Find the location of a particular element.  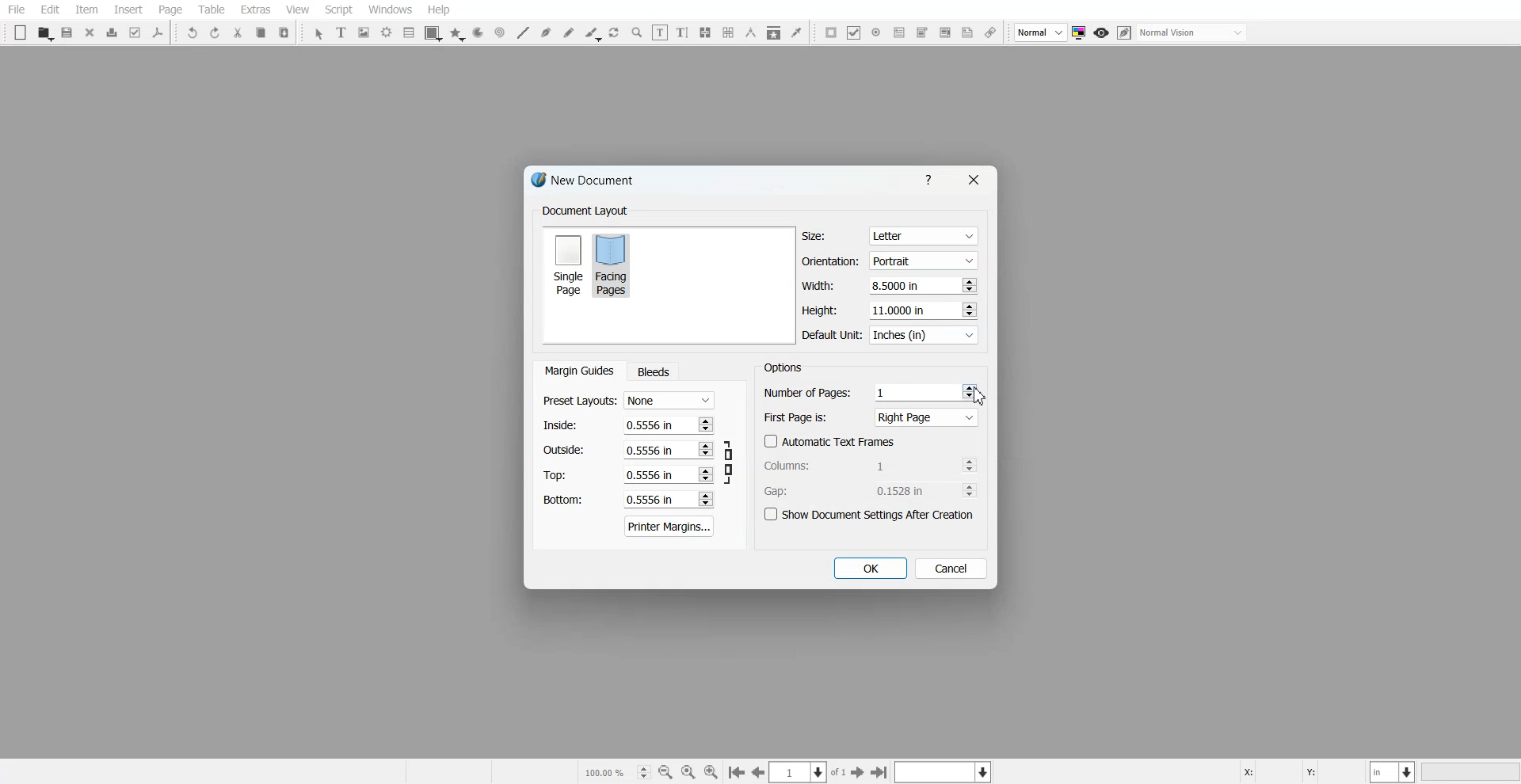

Rotate Item is located at coordinates (616, 33).